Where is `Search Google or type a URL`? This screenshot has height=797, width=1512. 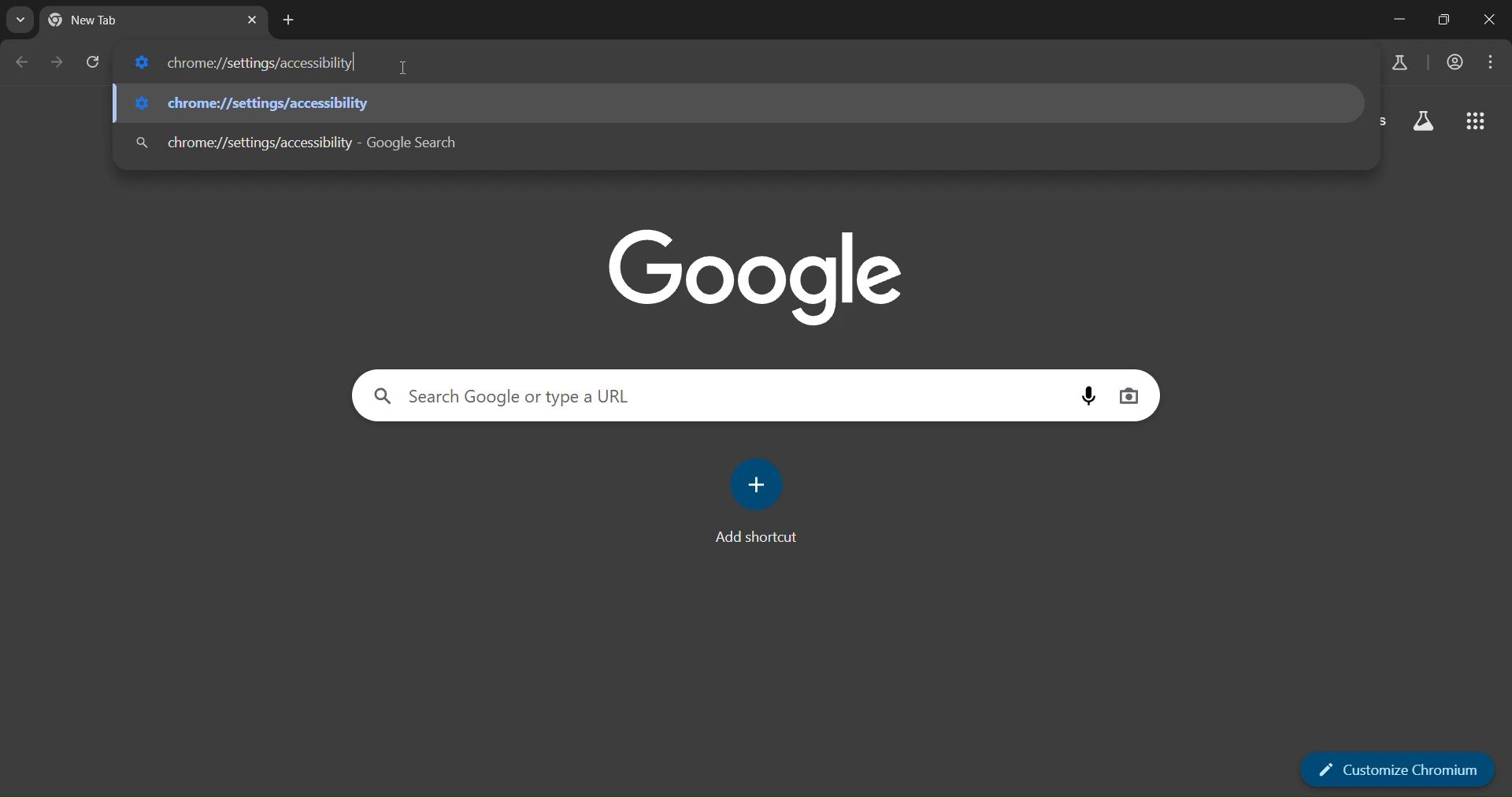
Search Google or type a URL is located at coordinates (512, 398).